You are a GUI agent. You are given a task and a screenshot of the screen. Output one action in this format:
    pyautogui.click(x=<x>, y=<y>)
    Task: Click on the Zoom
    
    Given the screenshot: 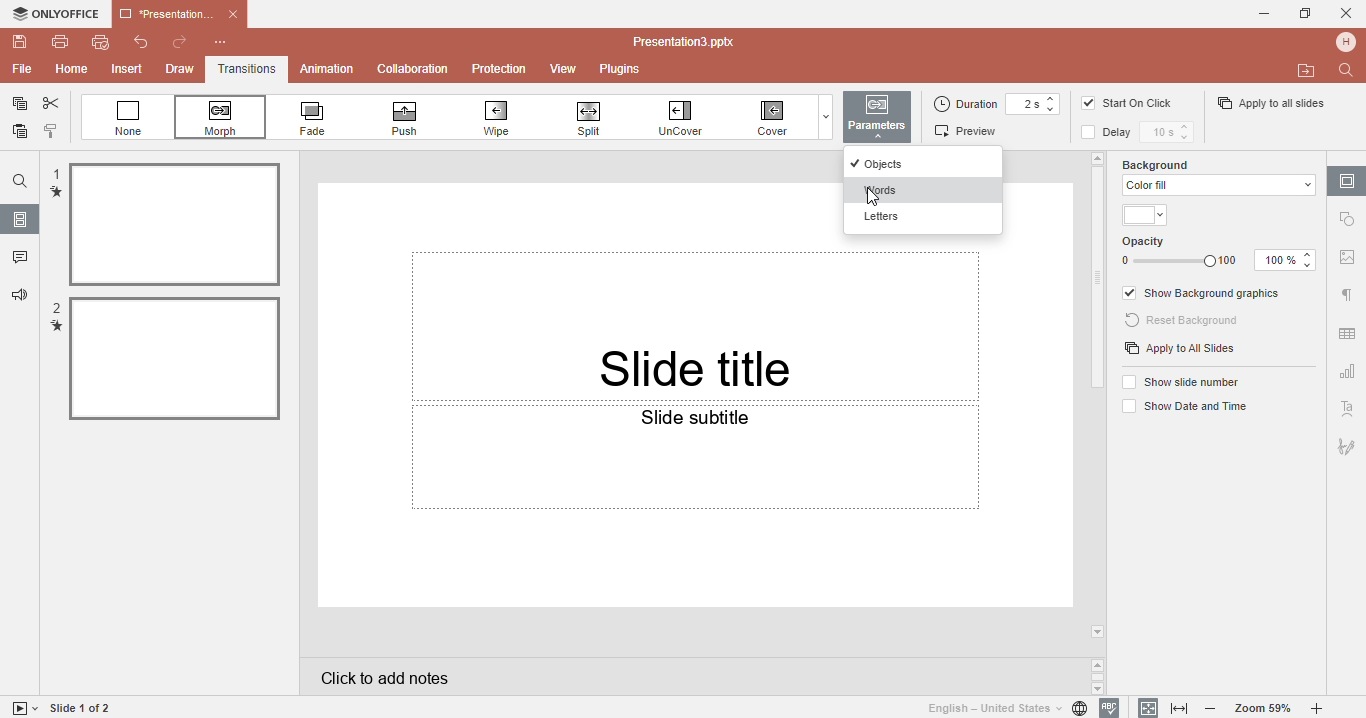 What is the action you would take?
    pyautogui.click(x=1264, y=708)
    